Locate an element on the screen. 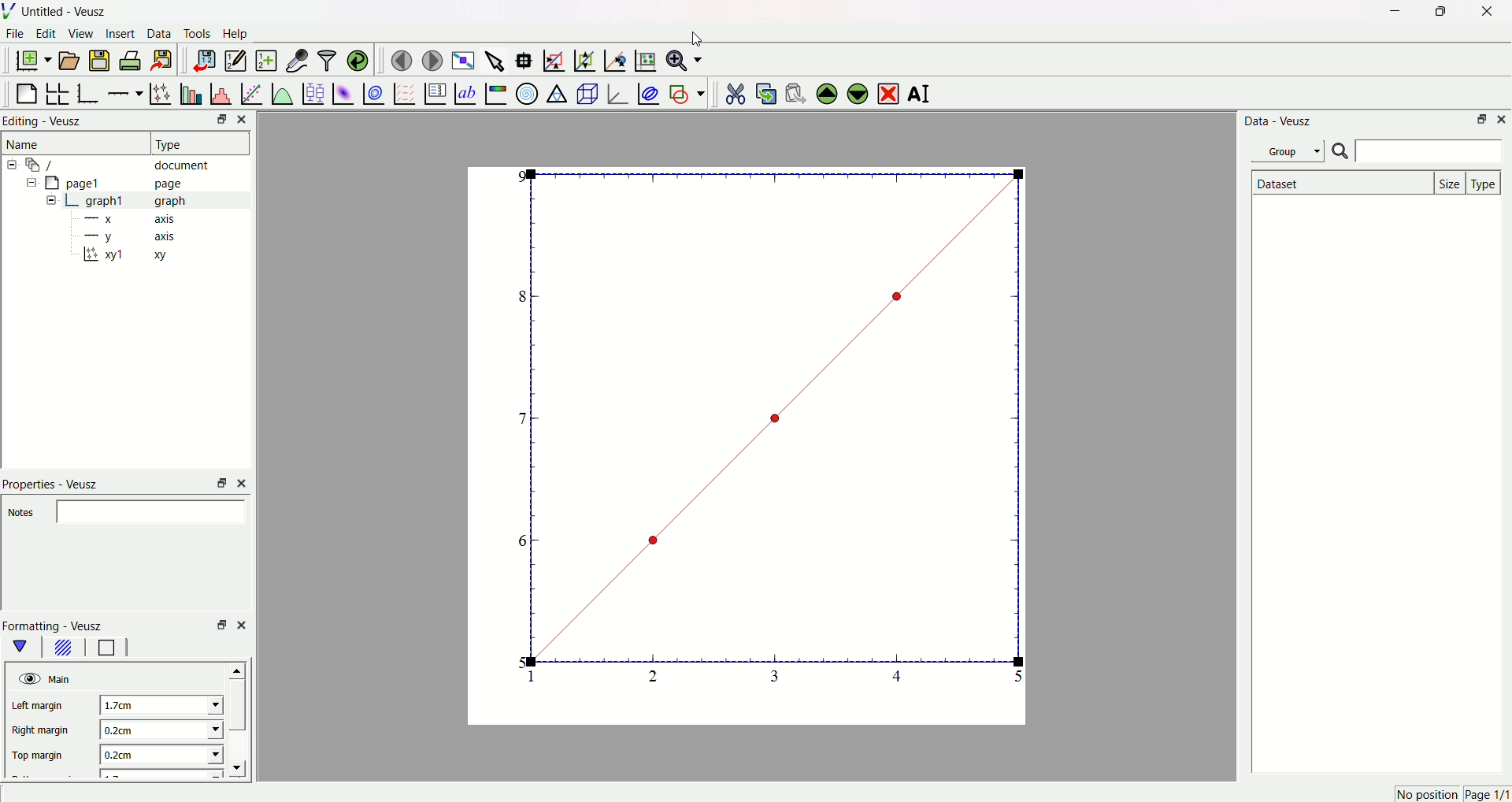 The image size is (1512, 802). plot 2 d datasets as image is located at coordinates (343, 92).